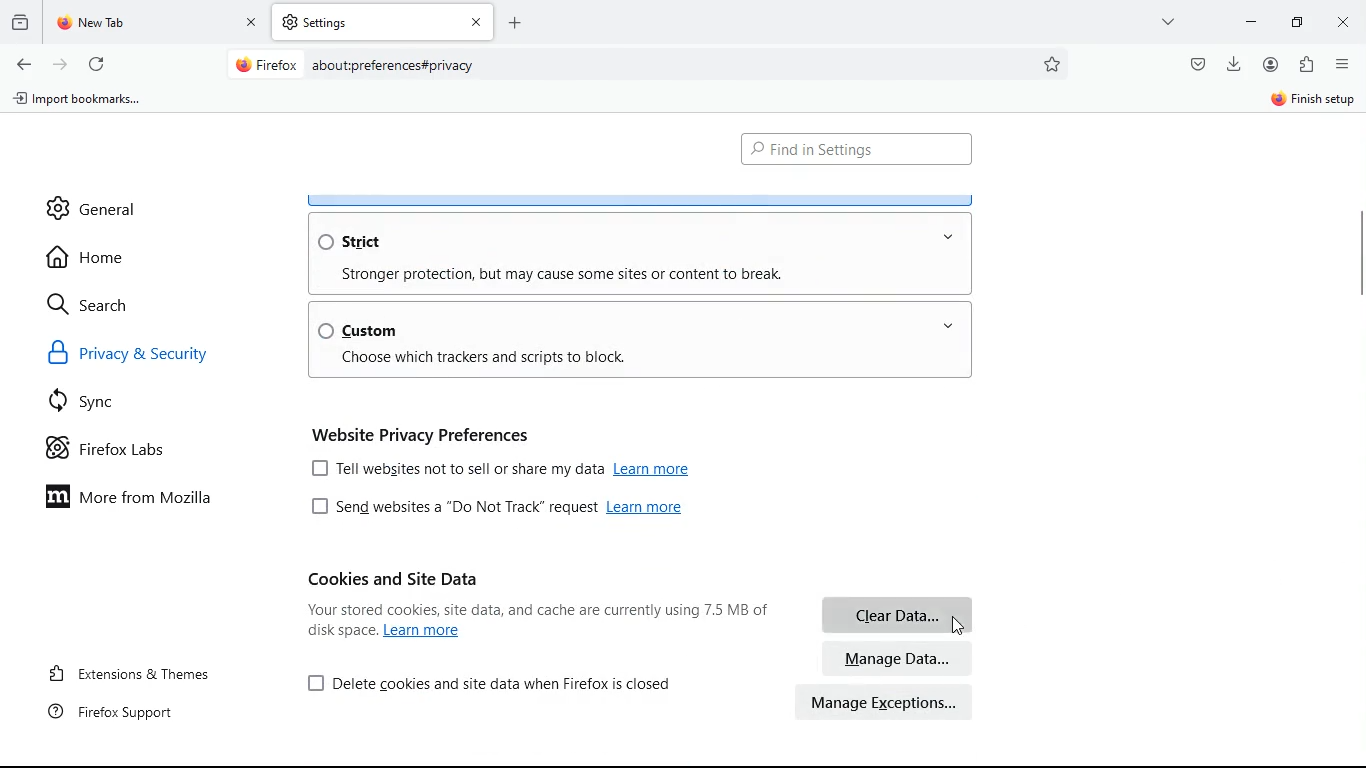  I want to click on manage exceptions, so click(886, 702).